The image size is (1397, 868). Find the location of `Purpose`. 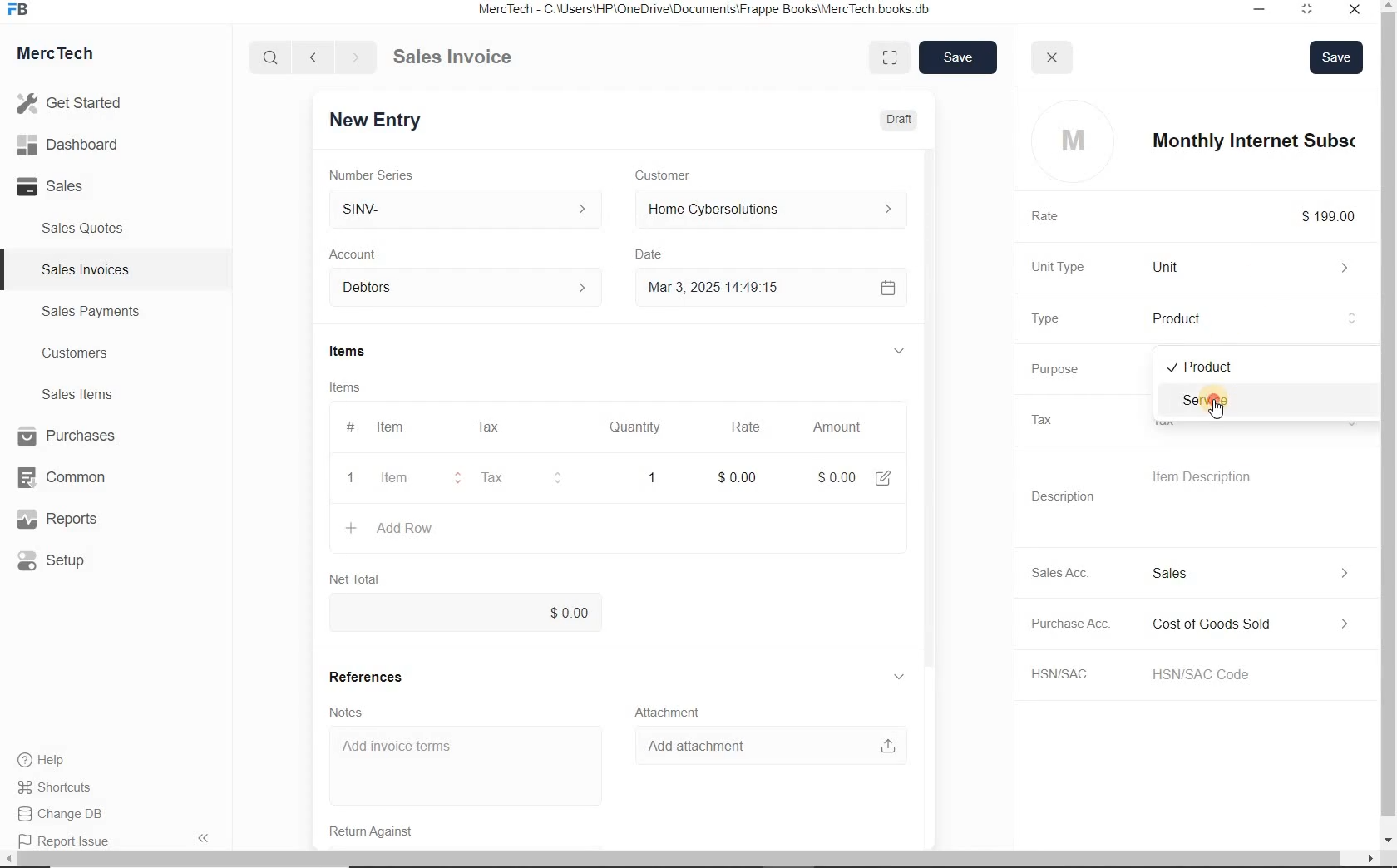

Purpose is located at coordinates (1067, 369).